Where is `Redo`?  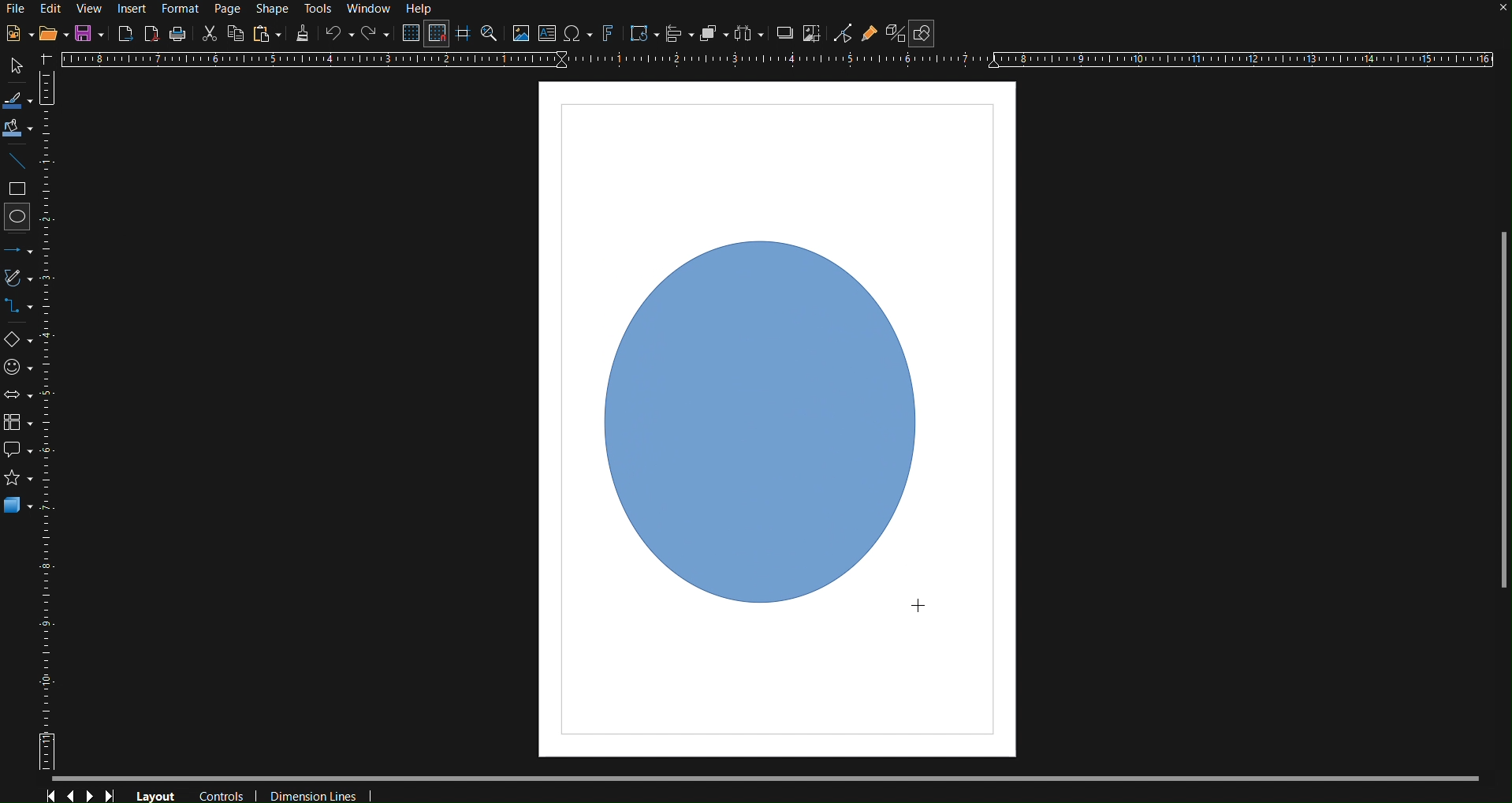
Redo is located at coordinates (376, 35).